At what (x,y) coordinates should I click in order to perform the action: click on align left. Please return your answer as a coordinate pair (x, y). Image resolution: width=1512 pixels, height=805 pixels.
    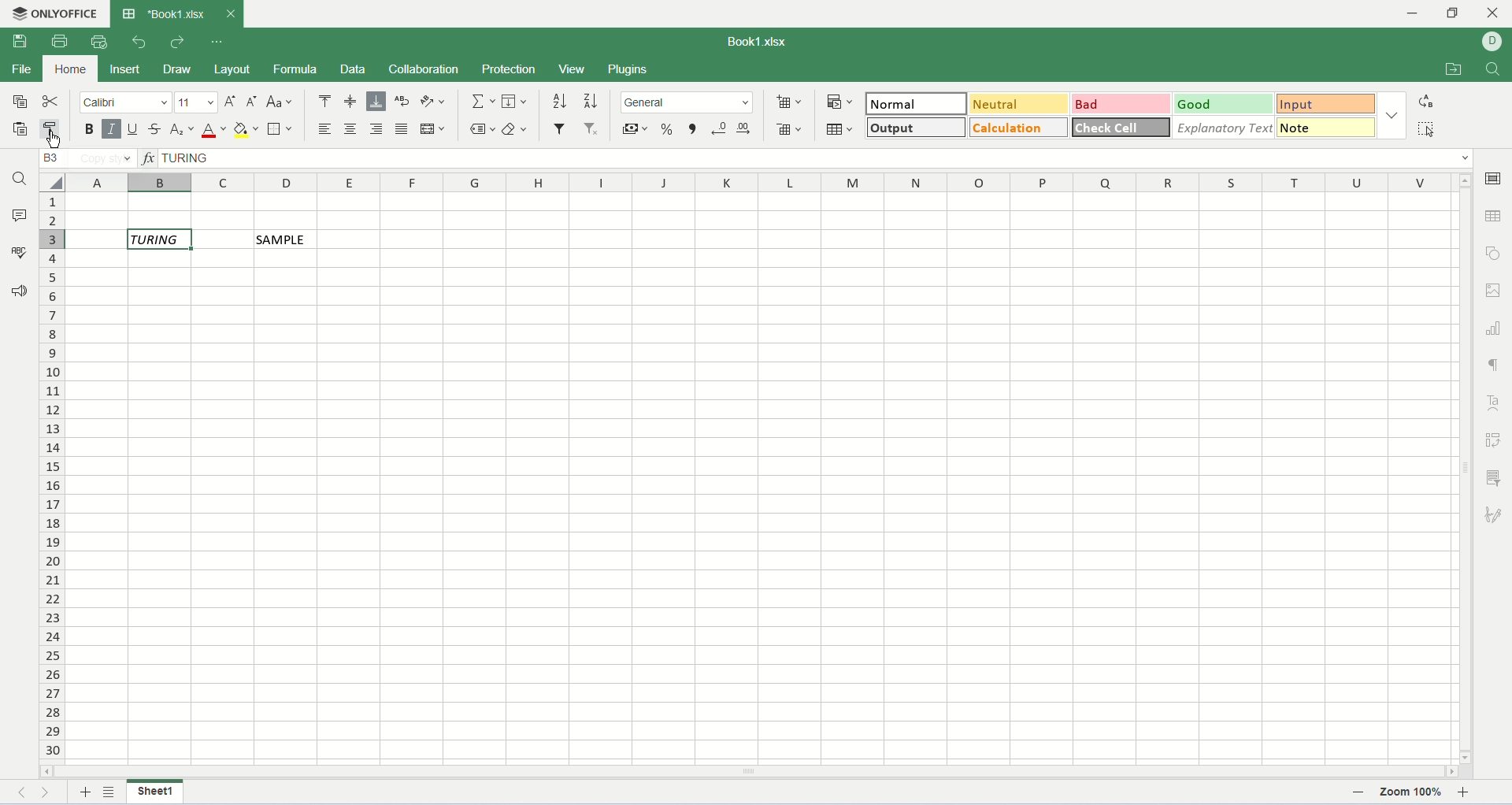
    Looking at the image, I should click on (328, 128).